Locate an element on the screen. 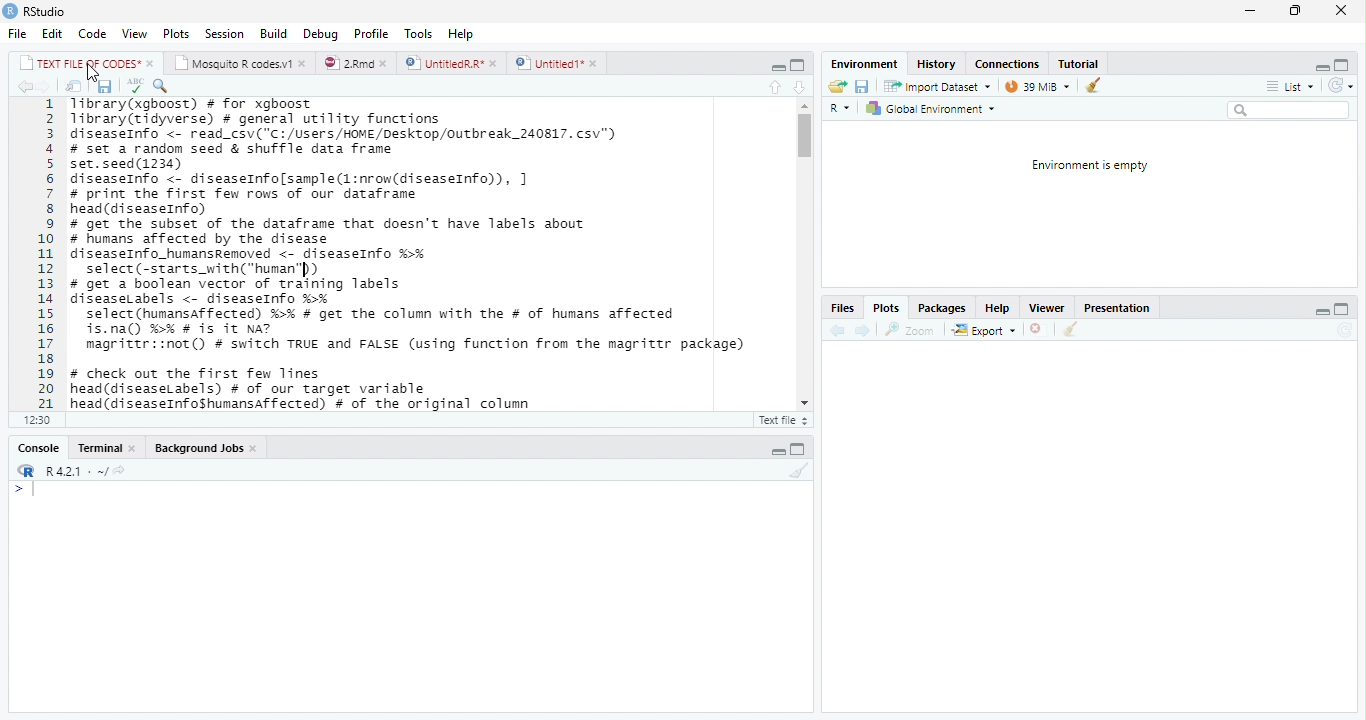 The image size is (1366, 720). Close is located at coordinates (1340, 11).